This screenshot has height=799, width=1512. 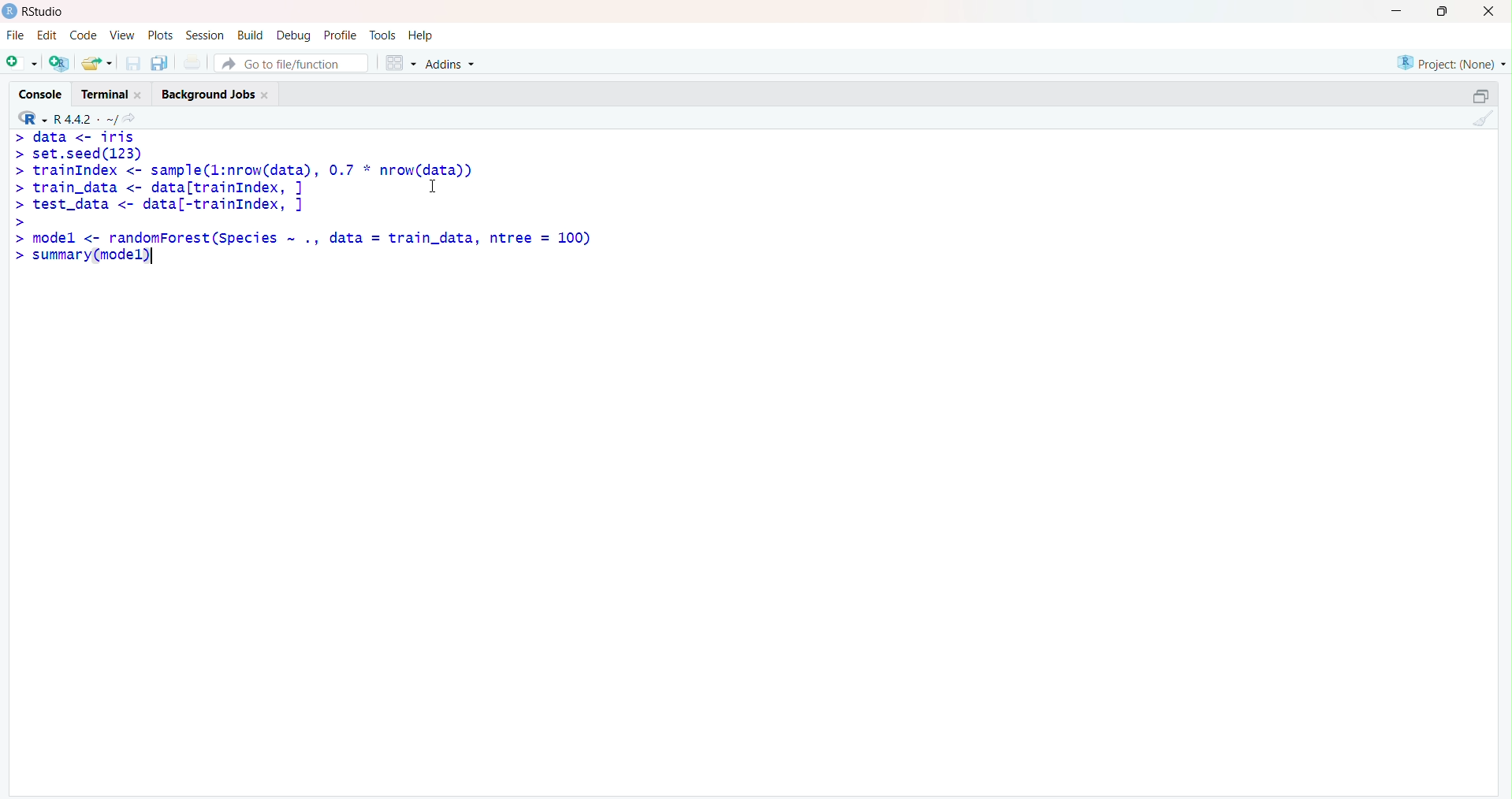 What do you see at coordinates (192, 64) in the screenshot?
I see `Print the current file` at bounding box center [192, 64].